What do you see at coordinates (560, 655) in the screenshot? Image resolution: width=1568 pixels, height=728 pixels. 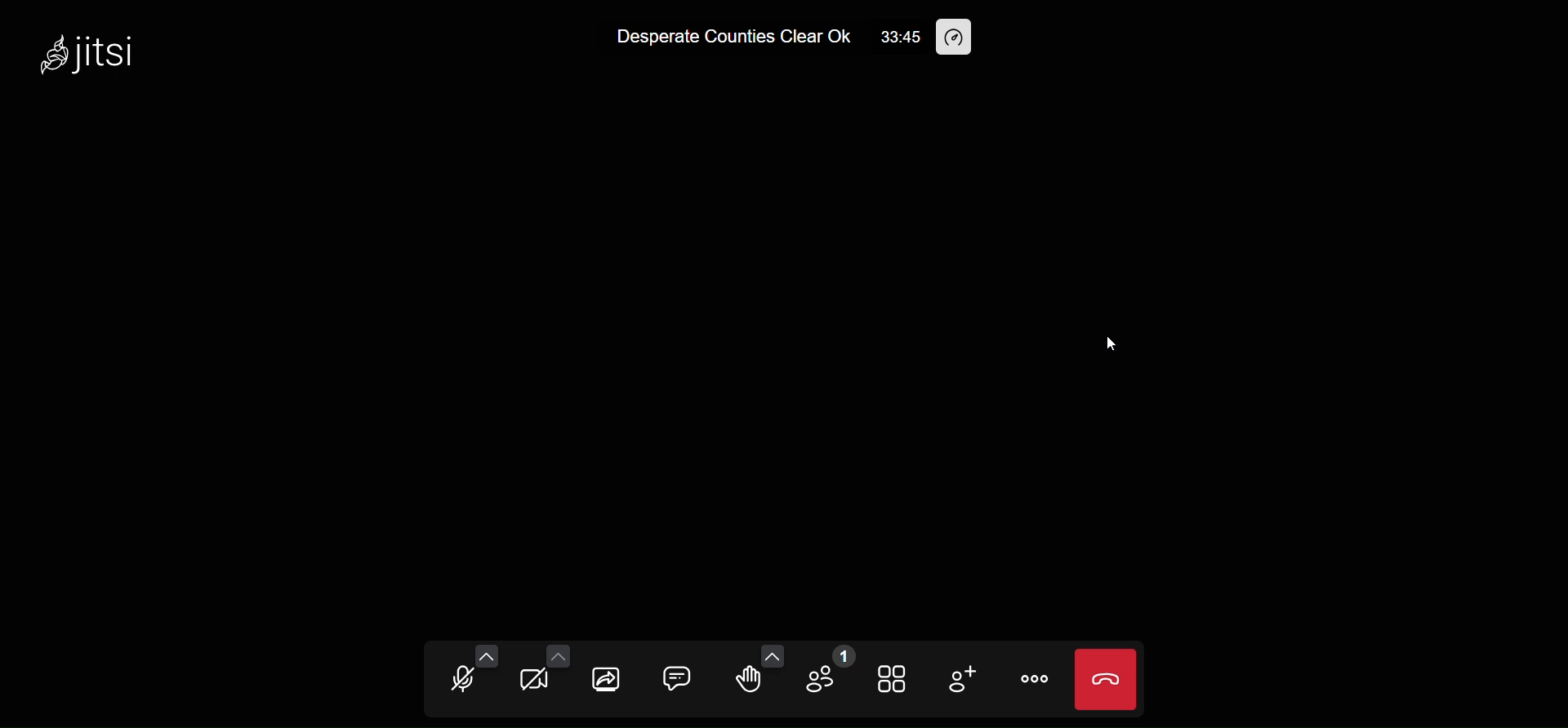 I see `more video setting` at bounding box center [560, 655].